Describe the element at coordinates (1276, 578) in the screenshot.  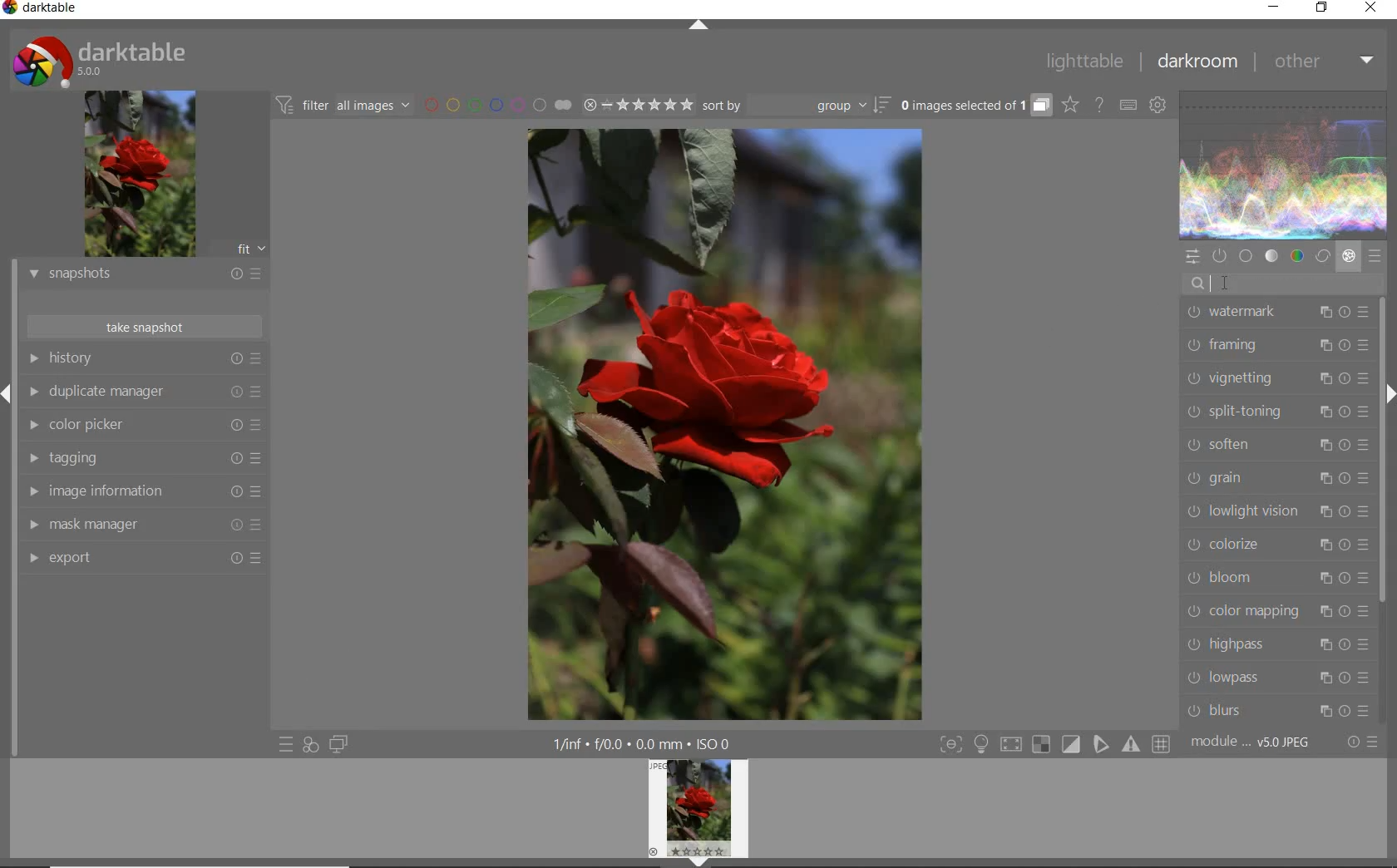
I see `bloom` at that location.